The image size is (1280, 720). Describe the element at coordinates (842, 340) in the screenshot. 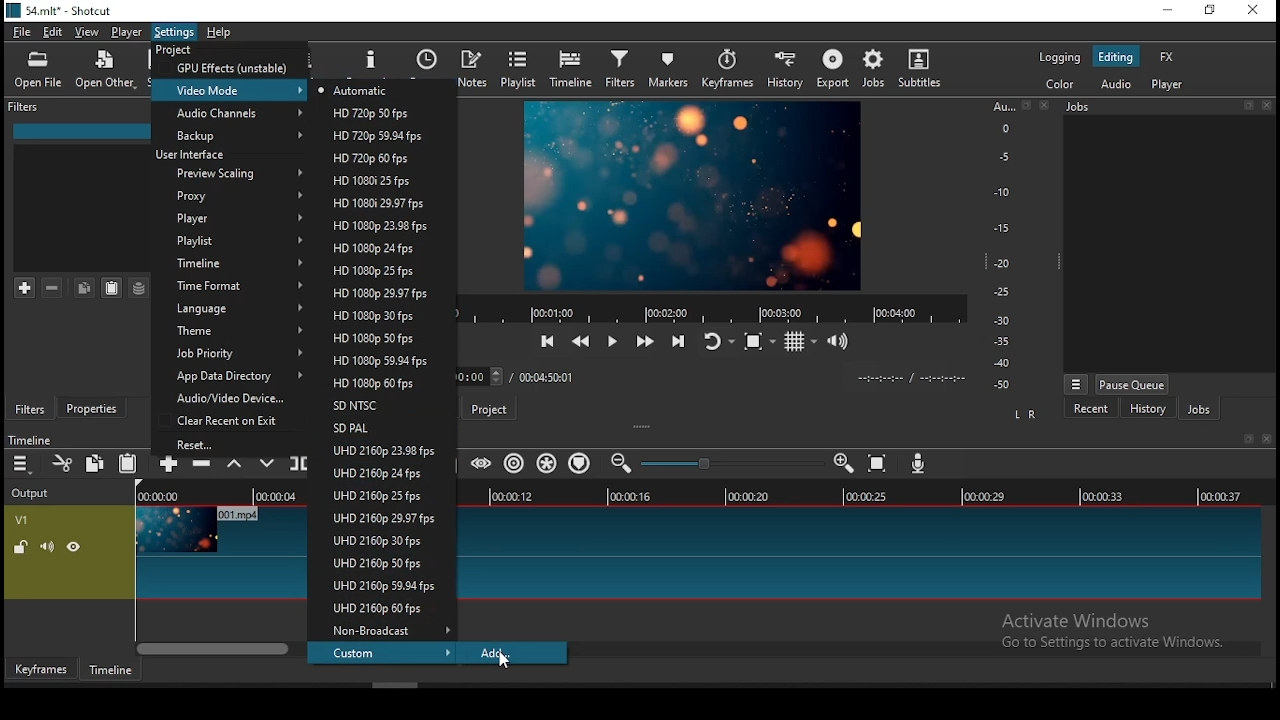

I see `volume control` at that location.